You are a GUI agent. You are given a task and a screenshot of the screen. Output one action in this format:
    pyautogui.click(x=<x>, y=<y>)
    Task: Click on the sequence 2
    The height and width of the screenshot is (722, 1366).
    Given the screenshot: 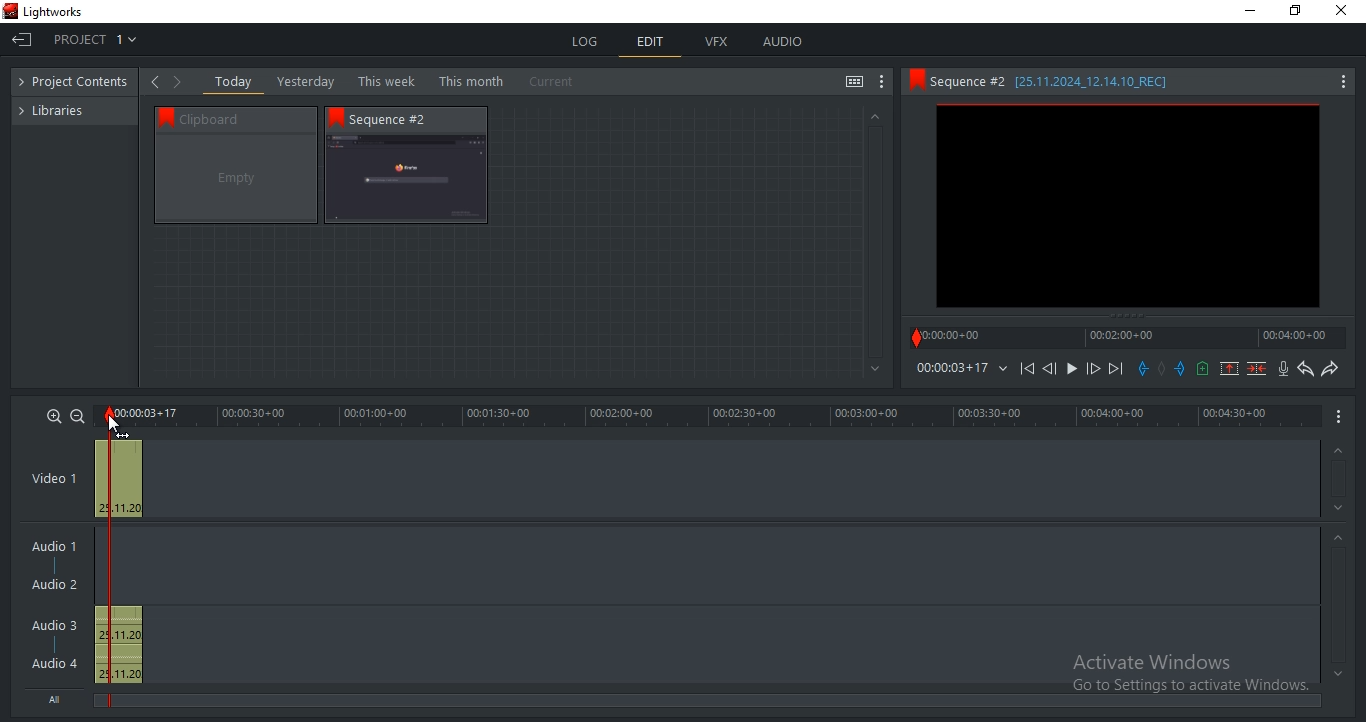 What is the action you would take?
    pyautogui.click(x=1128, y=208)
    